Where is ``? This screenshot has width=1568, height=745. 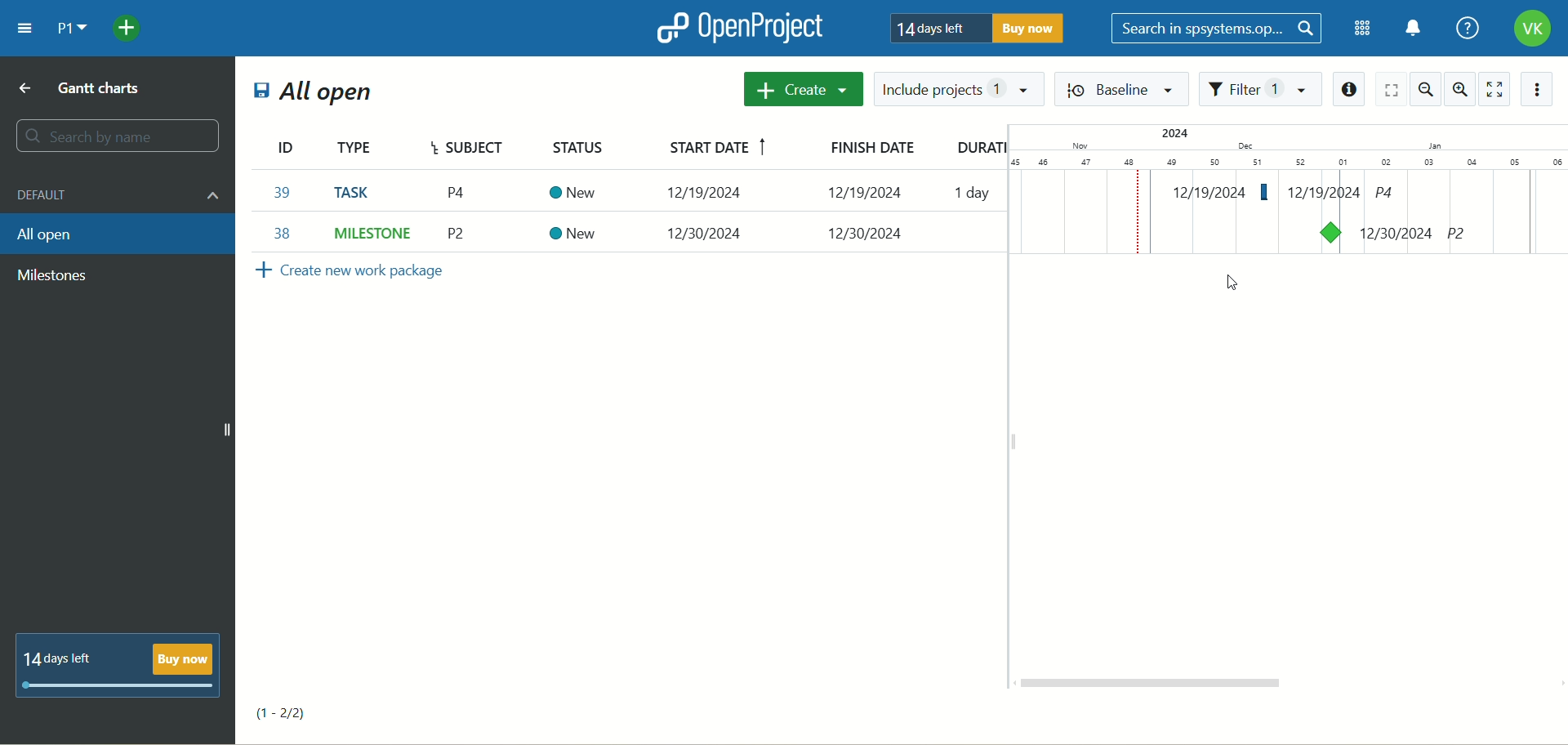
 is located at coordinates (1258, 143).